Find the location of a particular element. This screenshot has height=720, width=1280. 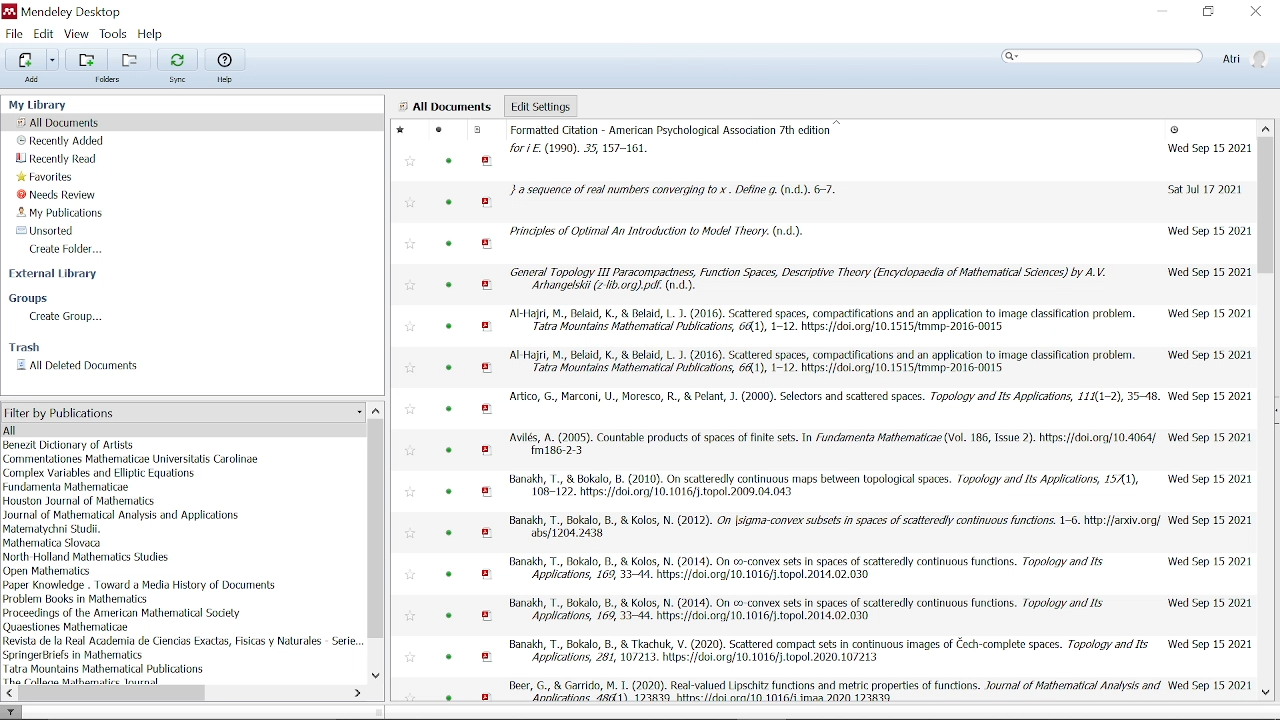

author is located at coordinates (50, 571).